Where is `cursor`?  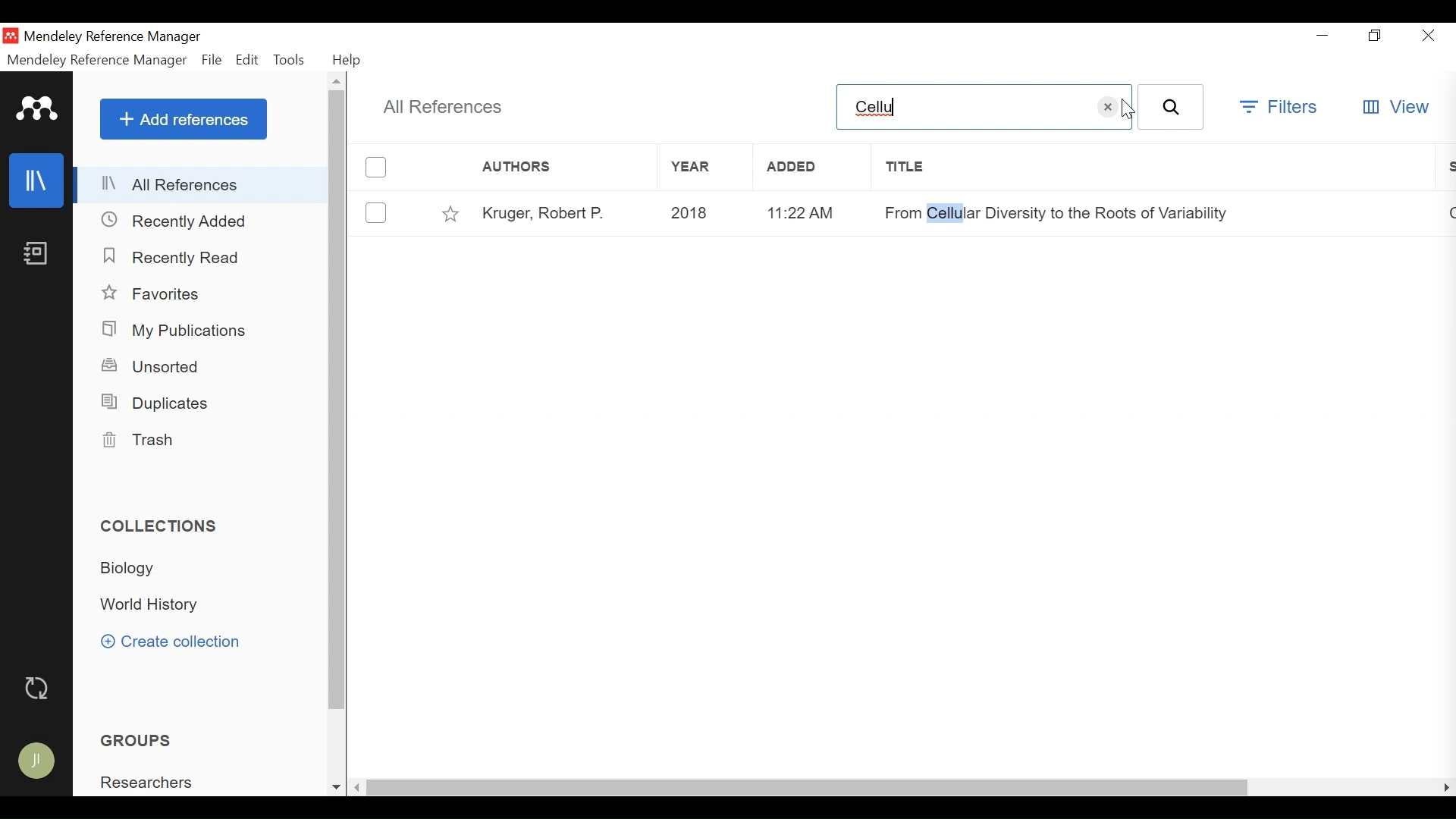 cursor is located at coordinates (1112, 106).